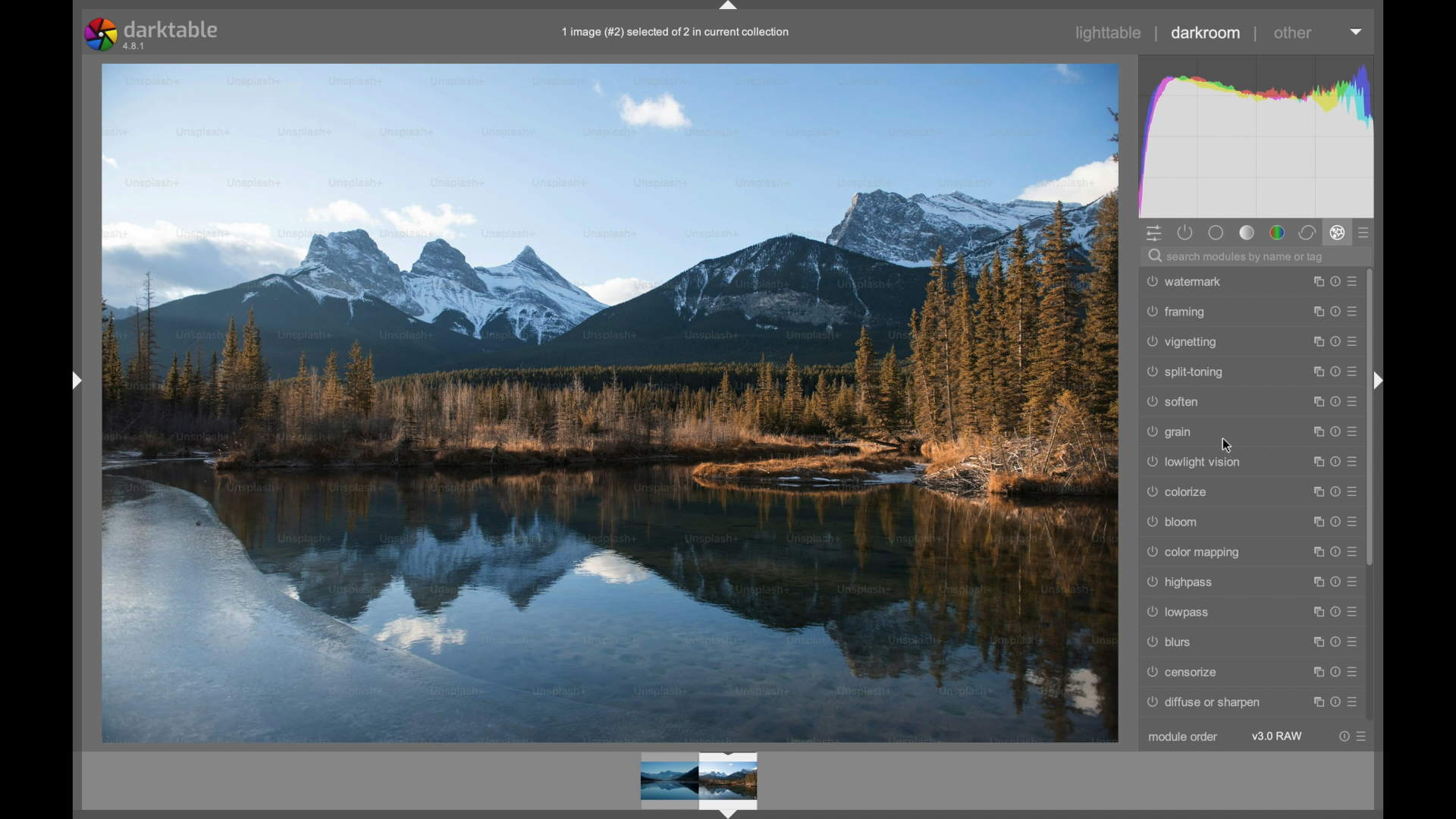 This screenshot has width=1456, height=819. What do you see at coordinates (1203, 702) in the screenshot?
I see `diffuse or sharpen` at bounding box center [1203, 702].